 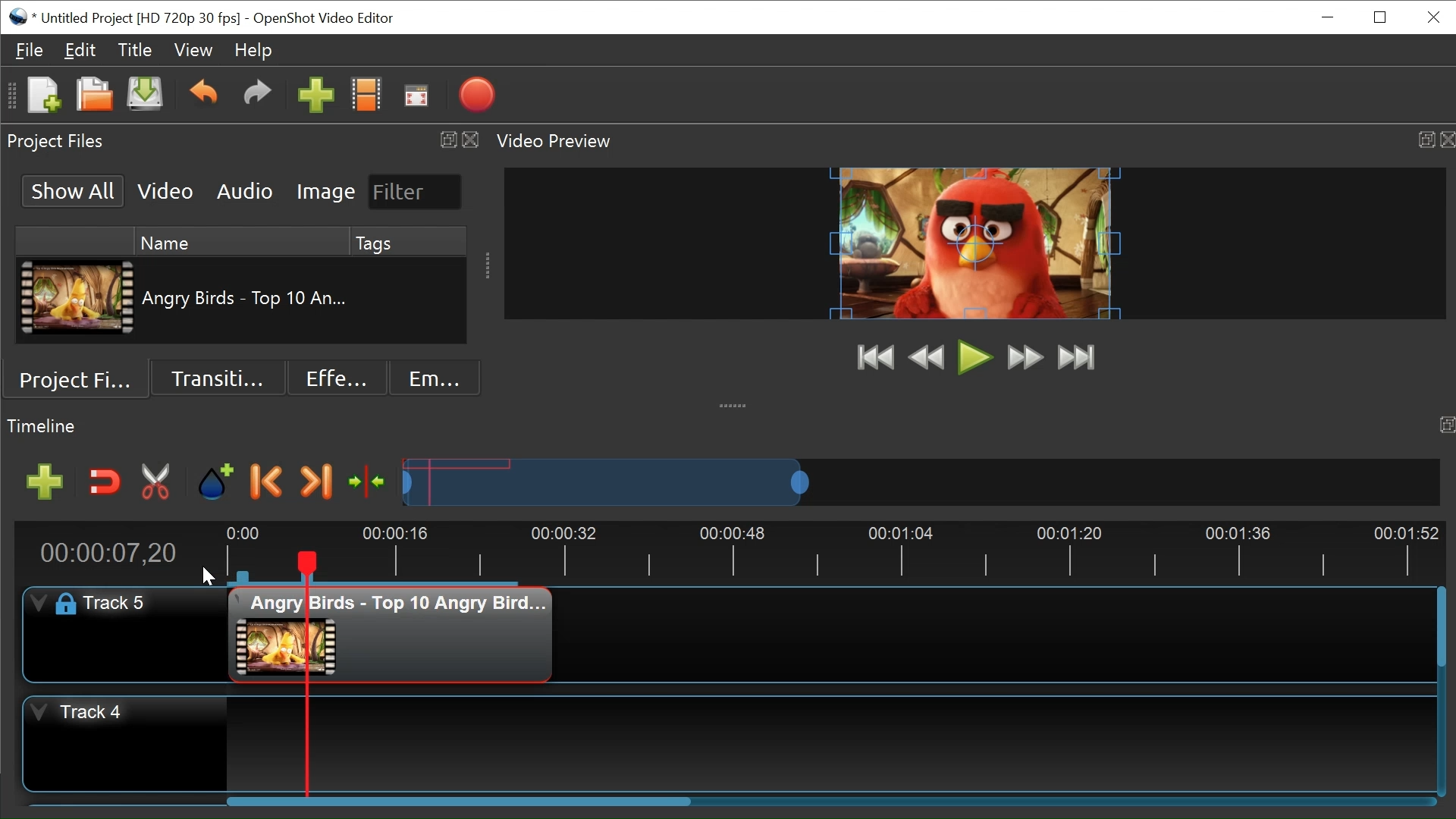 What do you see at coordinates (980, 242) in the screenshot?
I see `Preview Window` at bounding box center [980, 242].